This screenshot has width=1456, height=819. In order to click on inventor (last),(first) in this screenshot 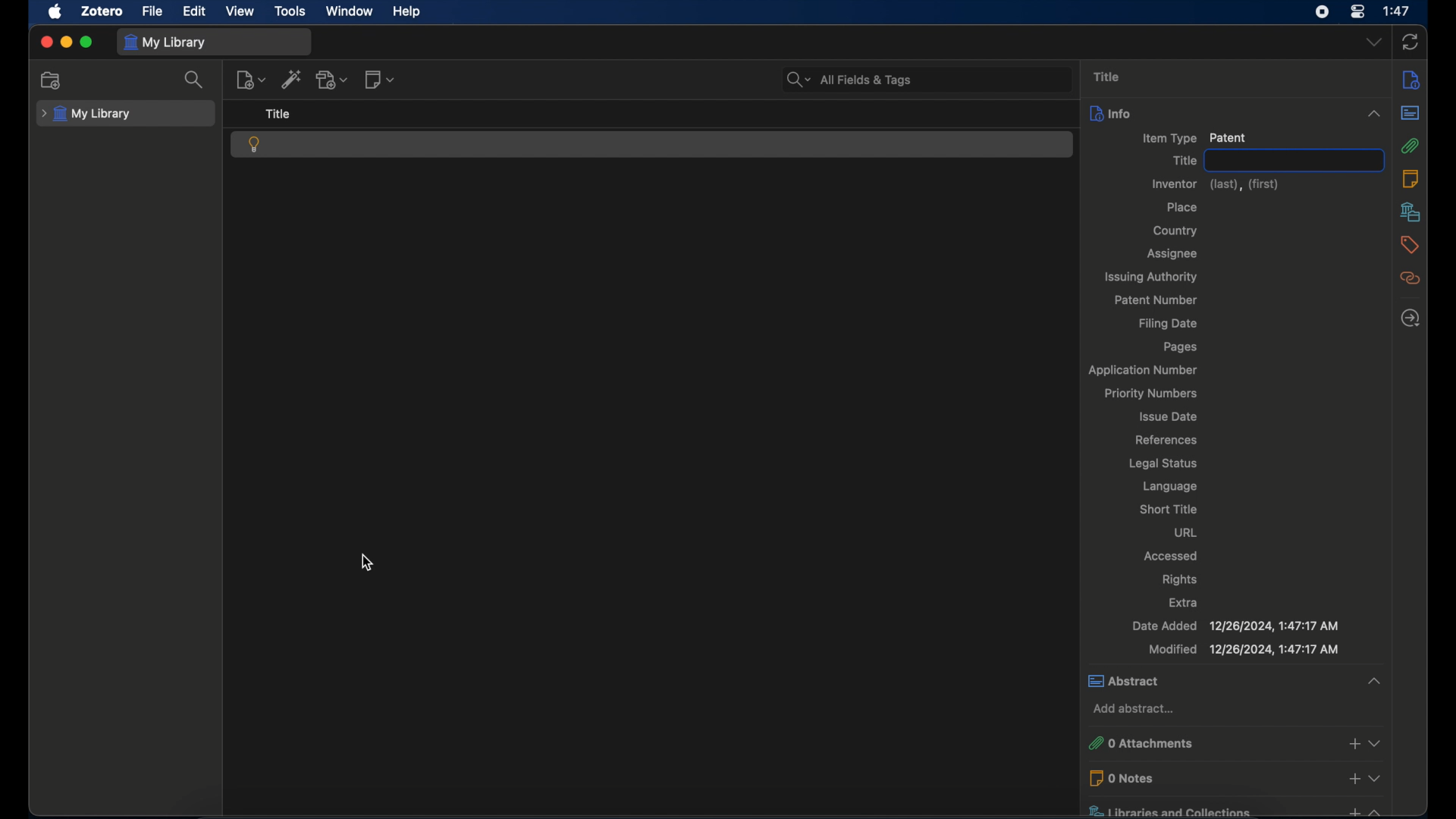, I will do `click(1215, 184)`.